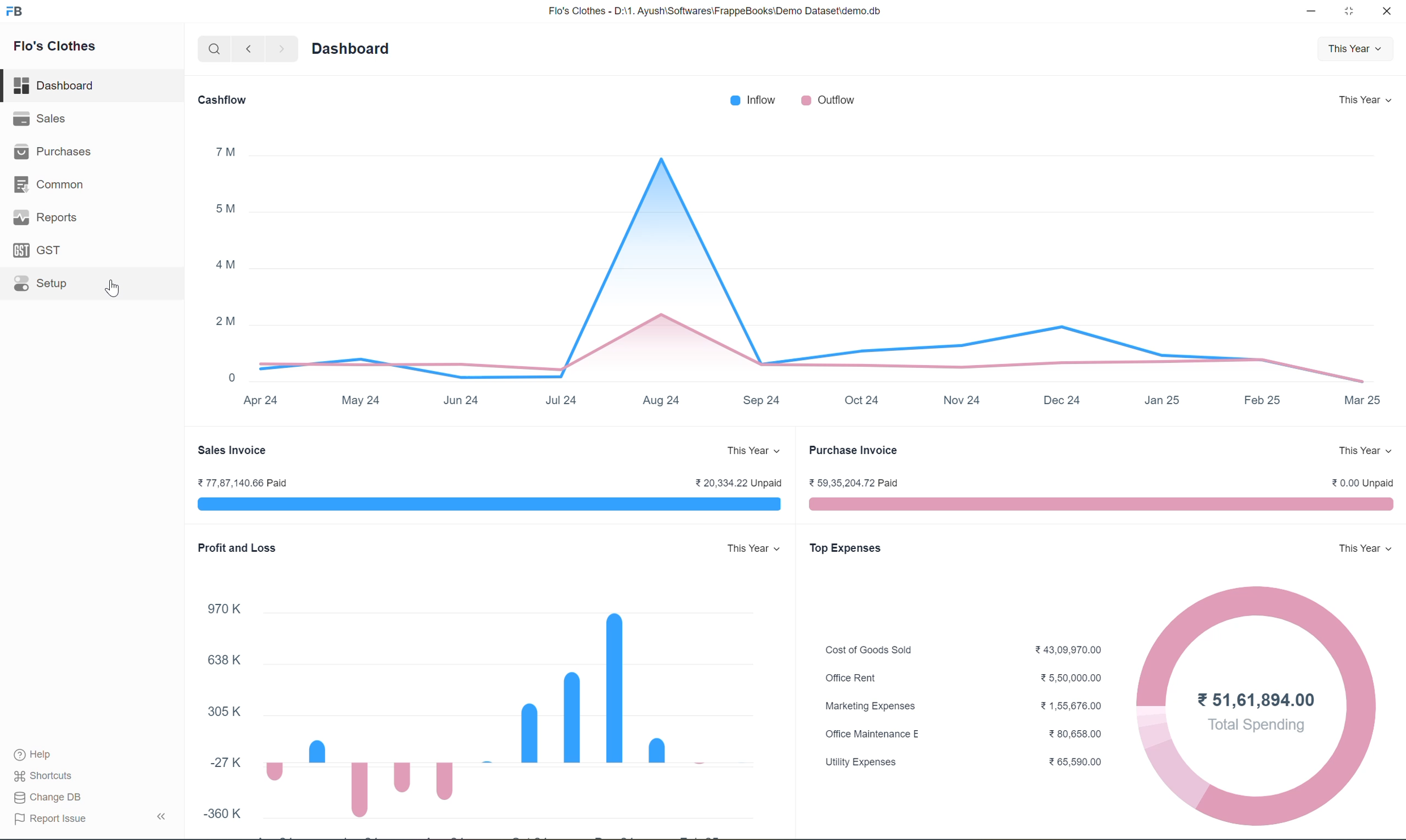 The image size is (1406, 840). I want to click on Inflow, so click(753, 100).